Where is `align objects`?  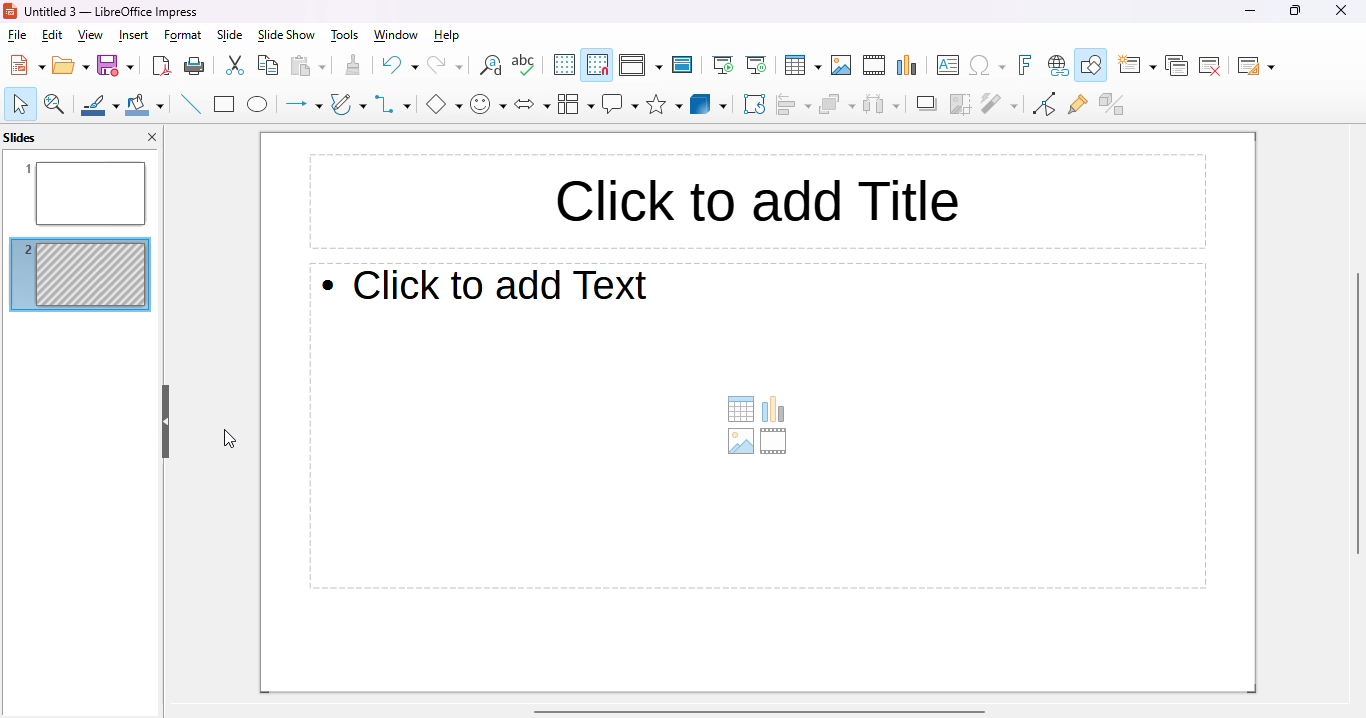
align objects is located at coordinates (794, 104).